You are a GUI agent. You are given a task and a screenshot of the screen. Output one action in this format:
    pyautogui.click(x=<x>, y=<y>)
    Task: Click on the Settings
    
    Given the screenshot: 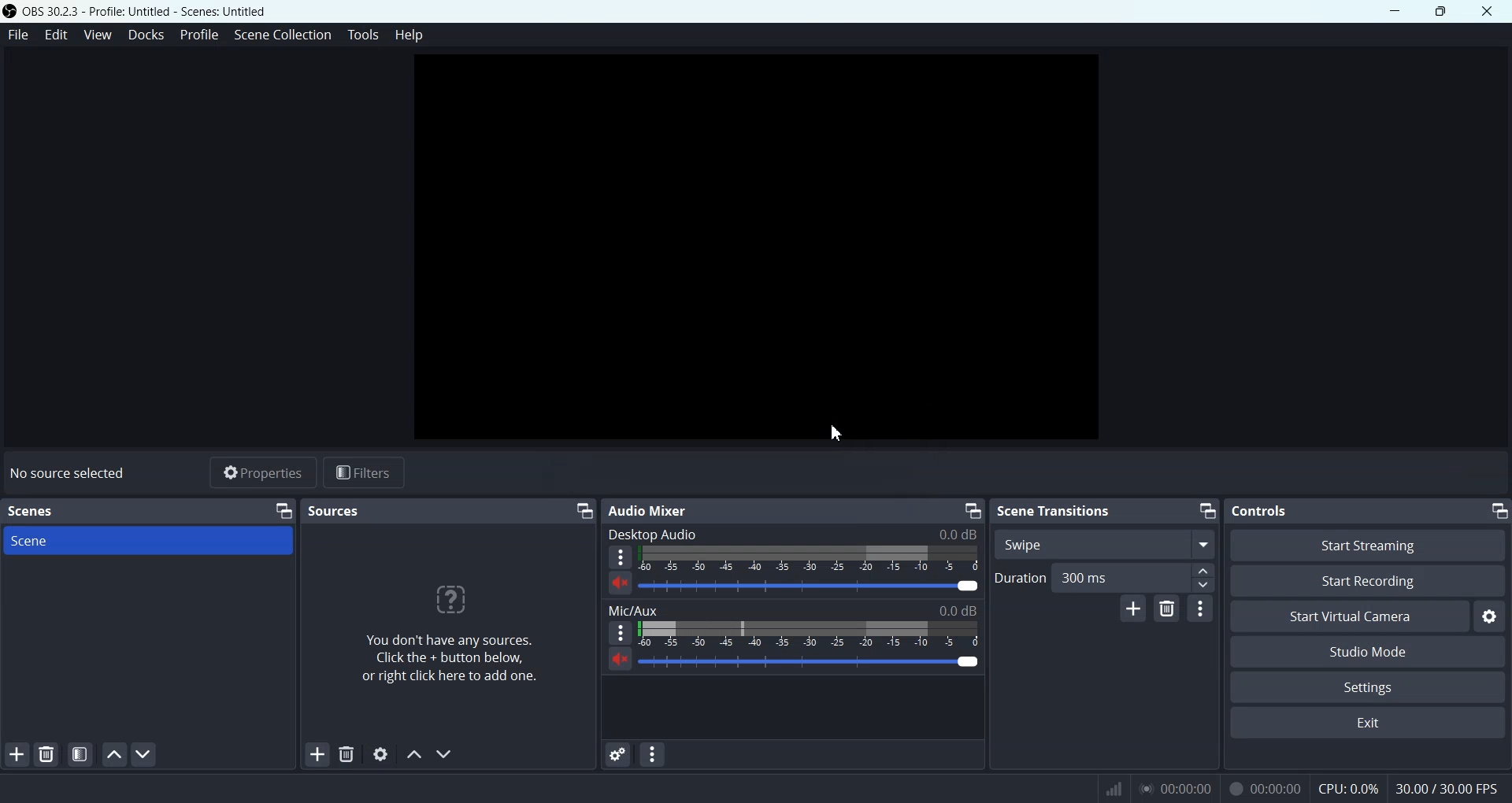 What is the action you would take?
    pyautogui.click(x=1492, y=616)
    